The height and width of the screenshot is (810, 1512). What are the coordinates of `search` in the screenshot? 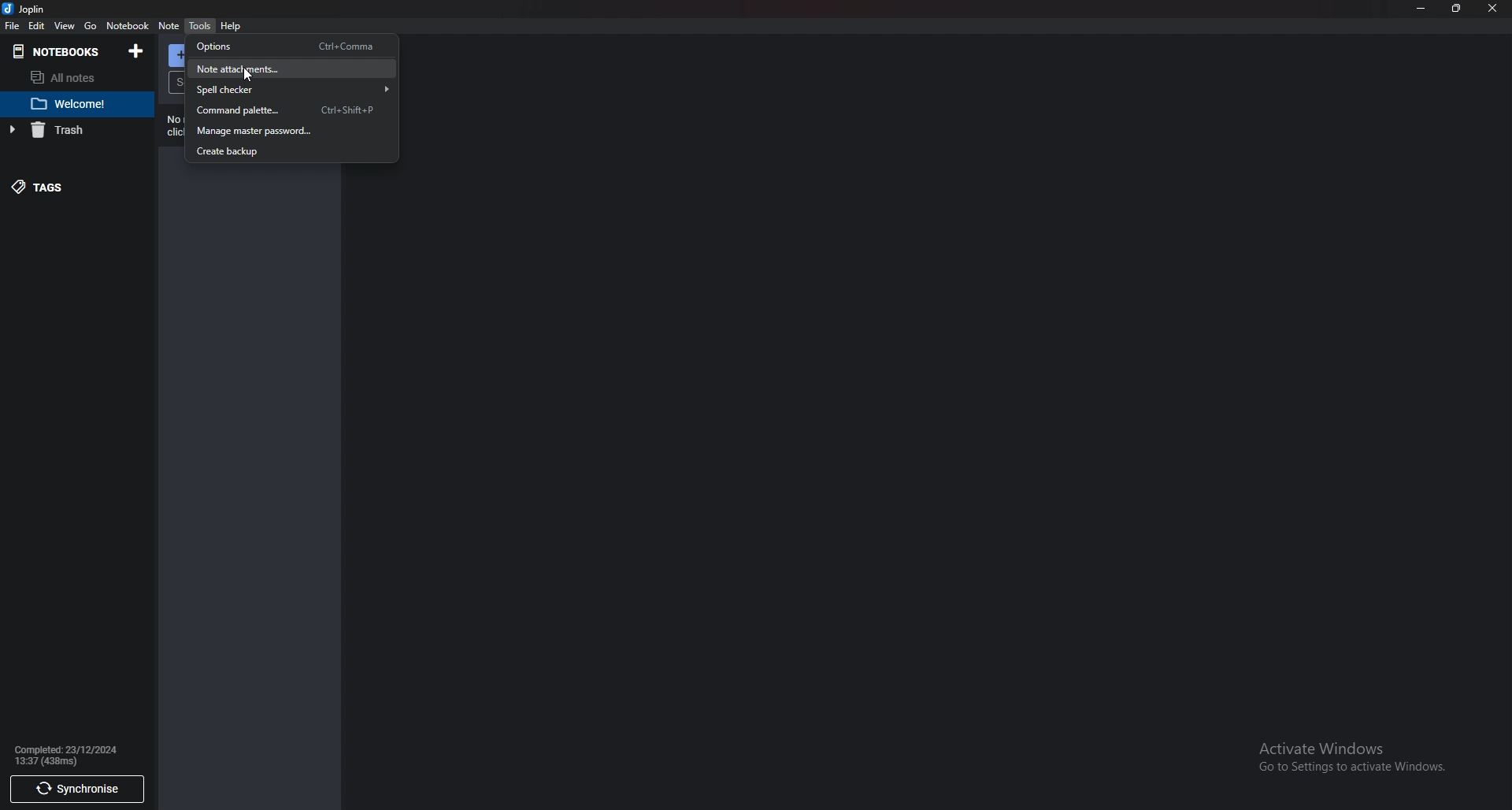 It's located at (180, 82).